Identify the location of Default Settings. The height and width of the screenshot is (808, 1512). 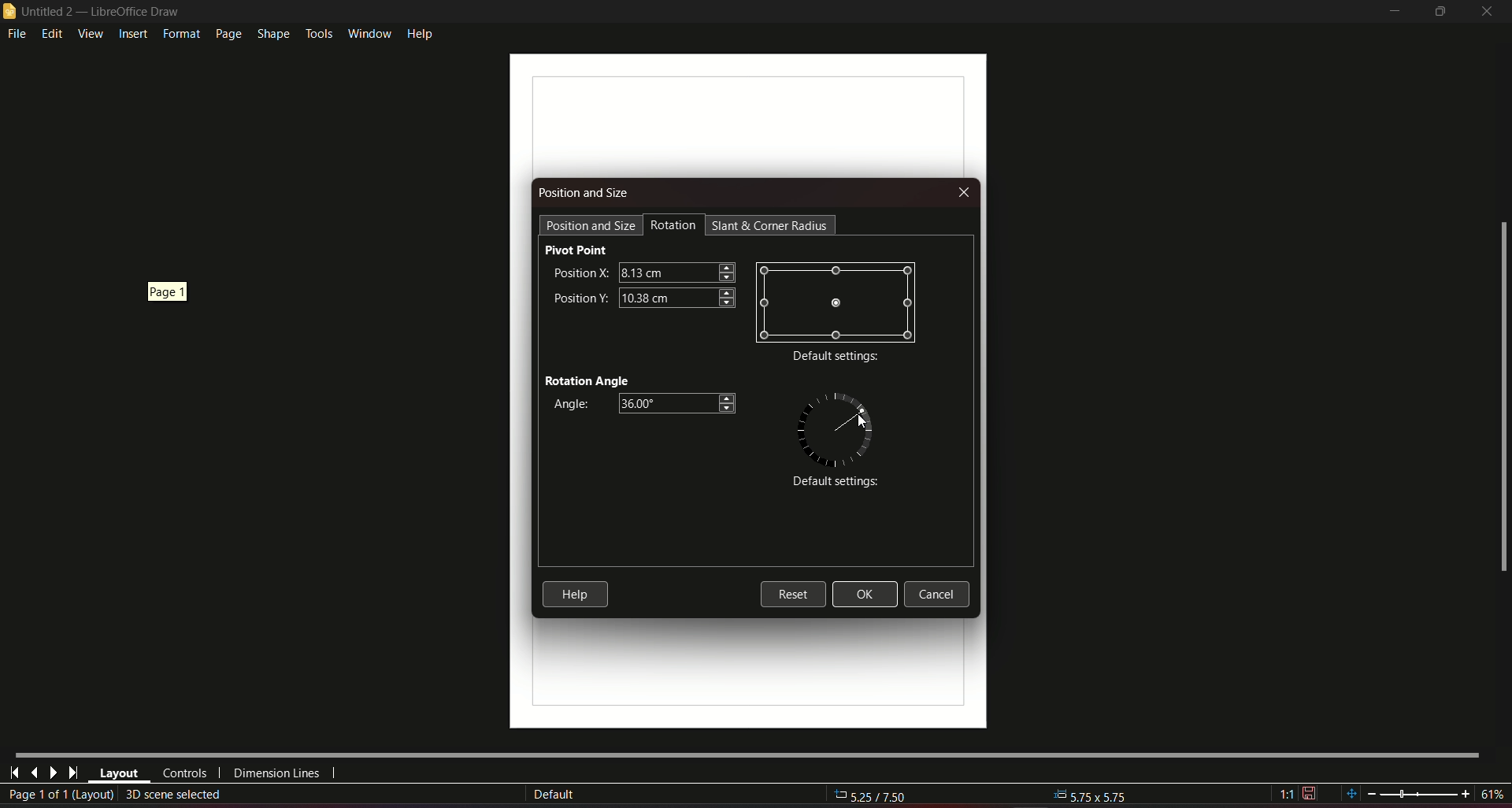
(832, 483).